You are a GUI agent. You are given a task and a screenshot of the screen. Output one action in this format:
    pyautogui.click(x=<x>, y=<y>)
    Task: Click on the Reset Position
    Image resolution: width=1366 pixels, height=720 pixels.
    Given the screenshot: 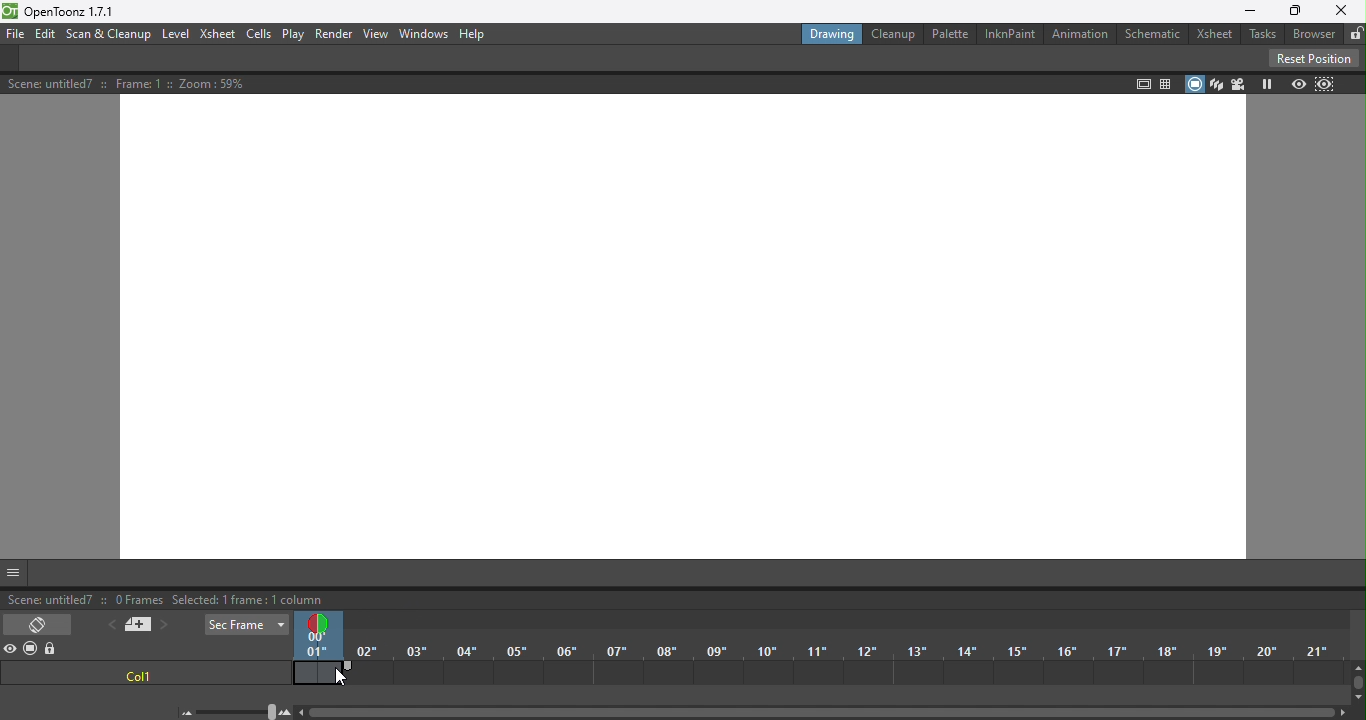 What is the action you would take?
    pyautogui.click(x=1313, y=58)
    